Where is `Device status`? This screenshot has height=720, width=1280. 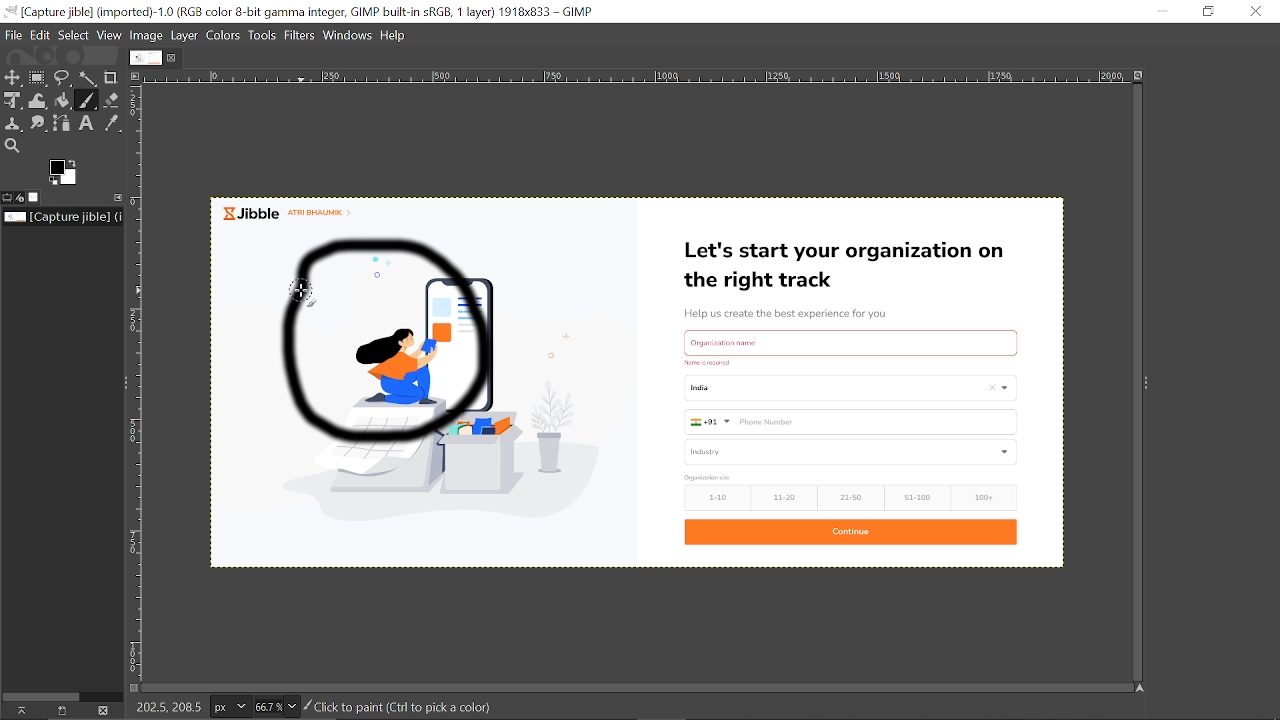
Device status is located at coordinates (22, 198).